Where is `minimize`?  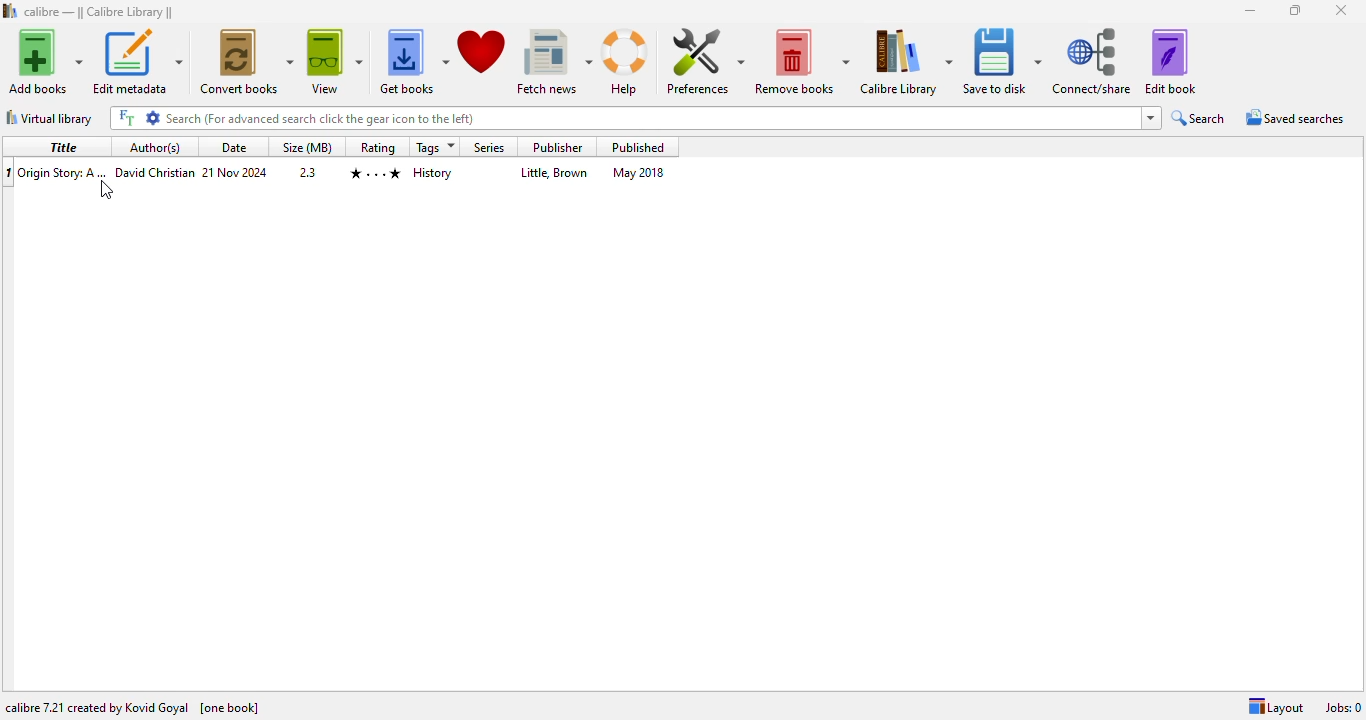 minimize is located at coordinates (1250, 10).